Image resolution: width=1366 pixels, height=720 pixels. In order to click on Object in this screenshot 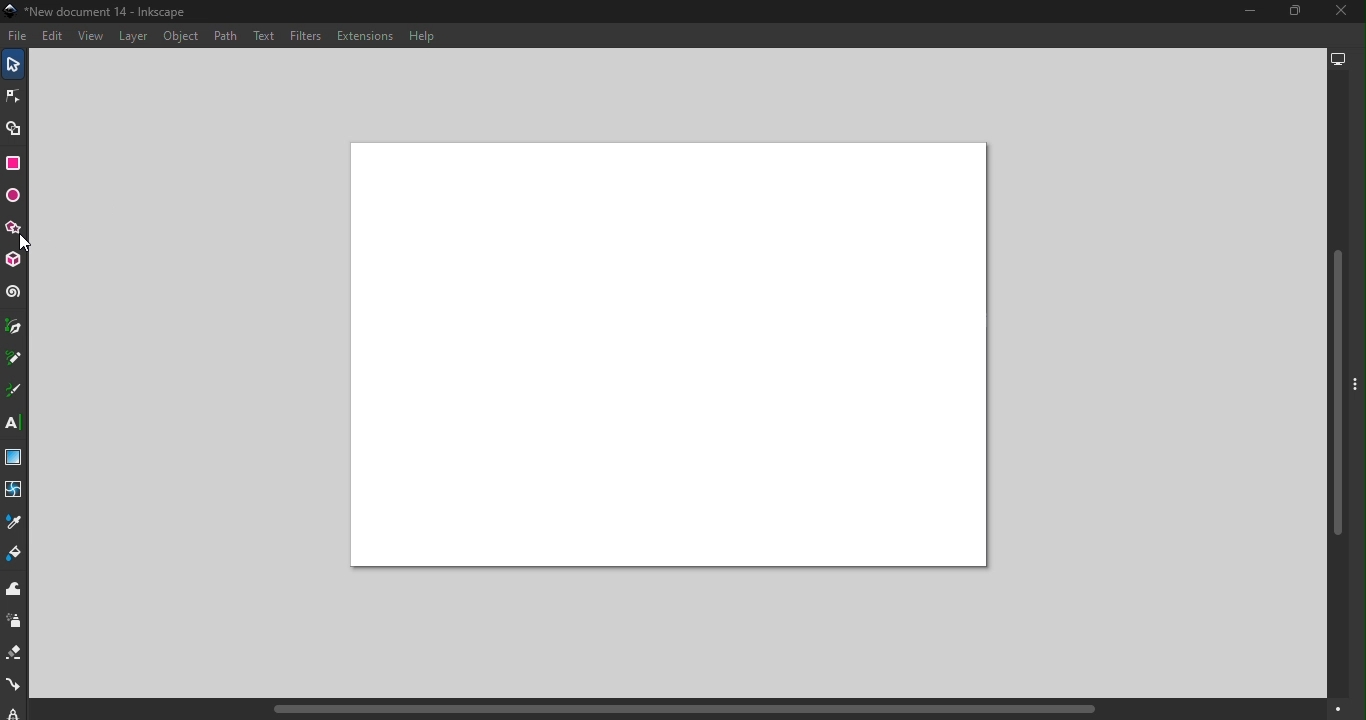, I will do `click(180, 37)`.